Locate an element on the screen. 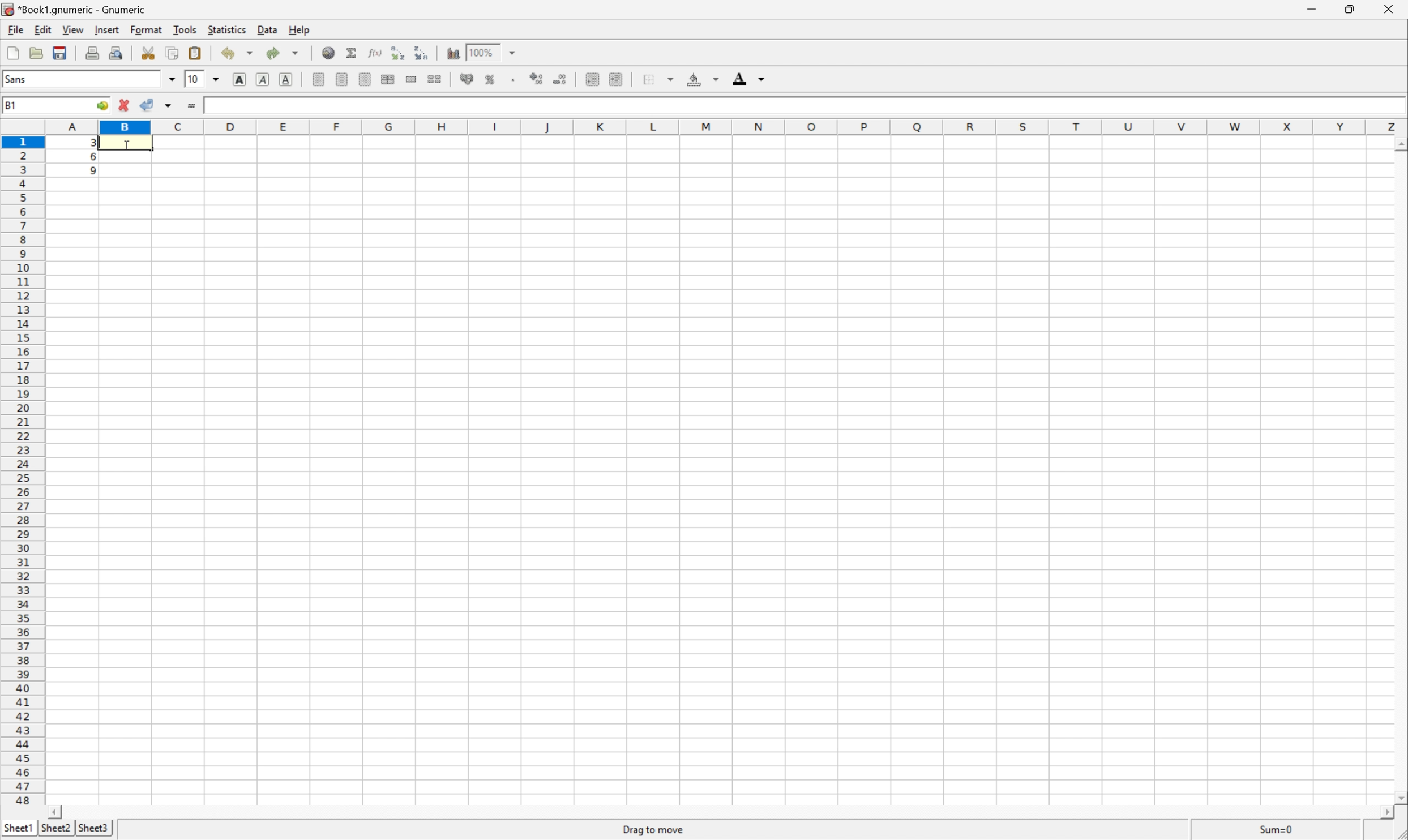 The image size is (1408, 840). Cancel changes is located at coordinates (125, 104).